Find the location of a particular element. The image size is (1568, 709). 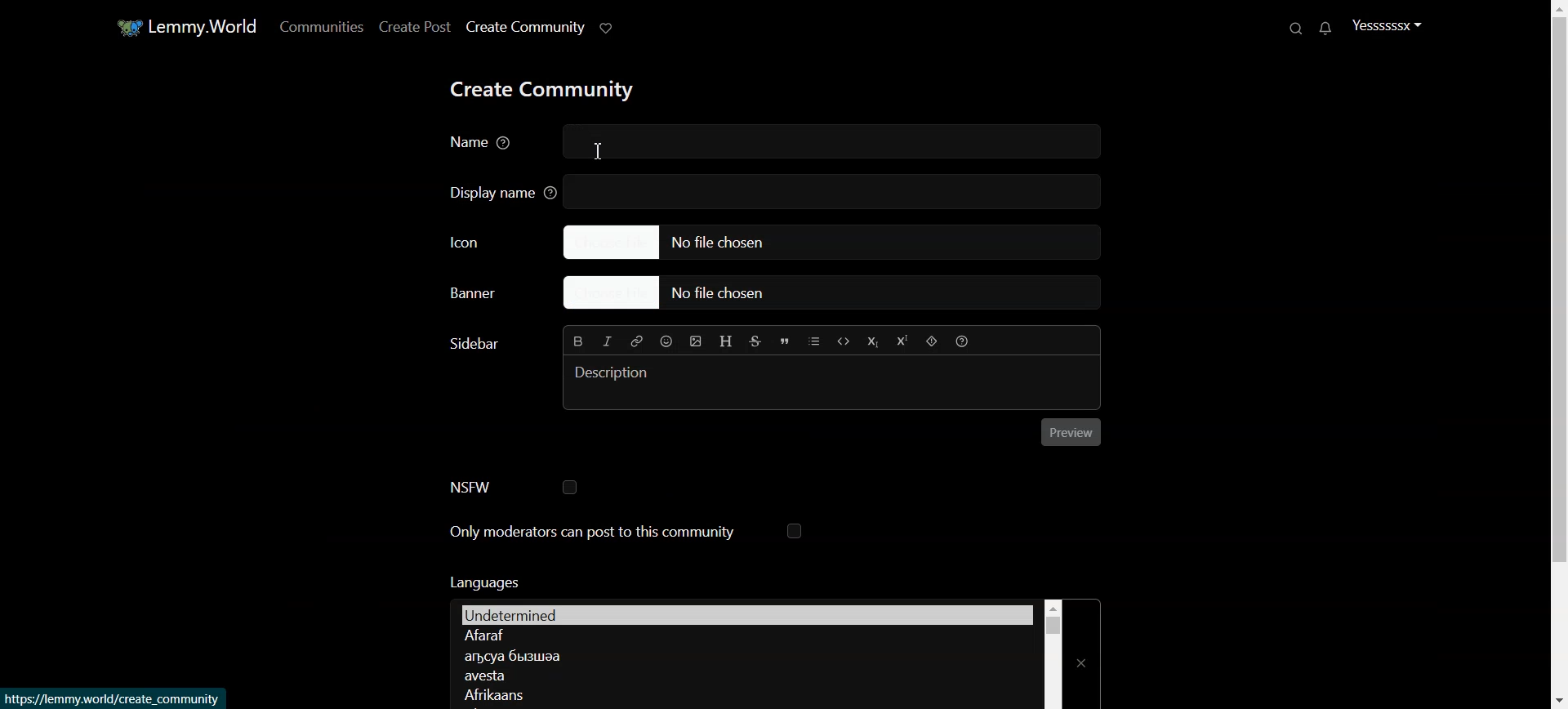

Language is located at coordinates (742, 693).